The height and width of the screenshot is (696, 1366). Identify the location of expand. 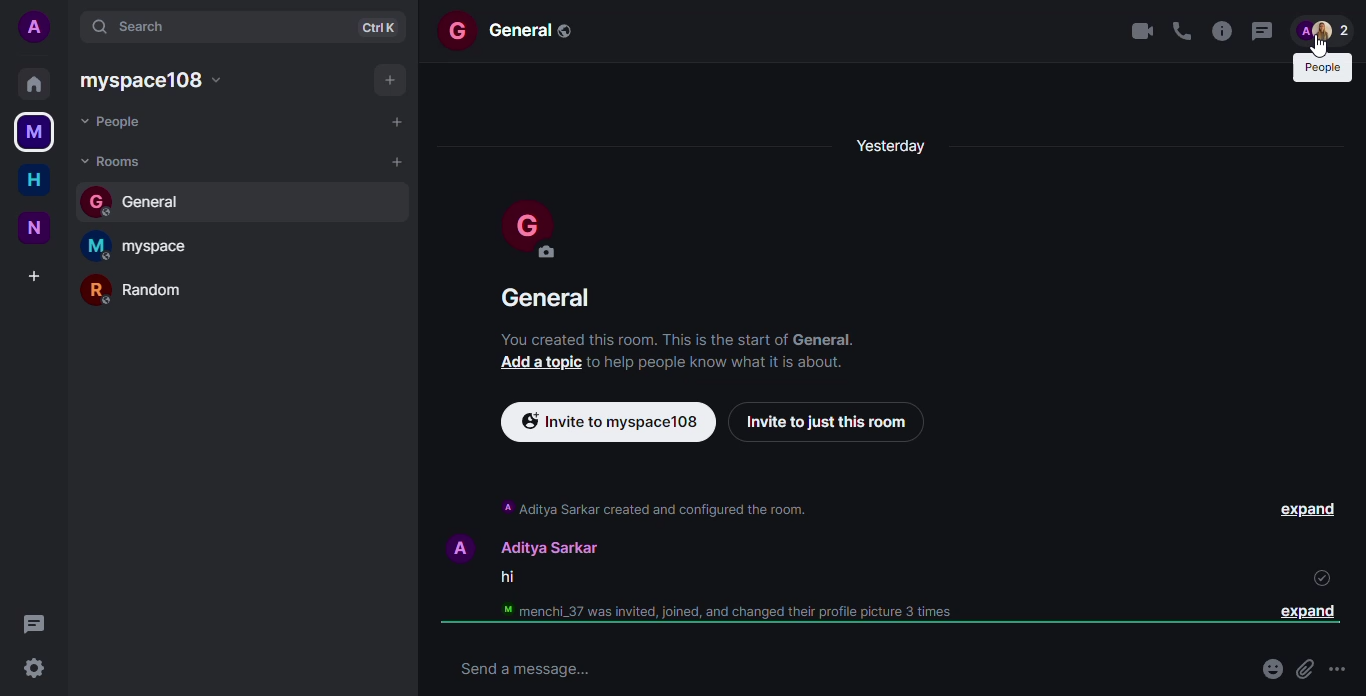
(1303, 615).